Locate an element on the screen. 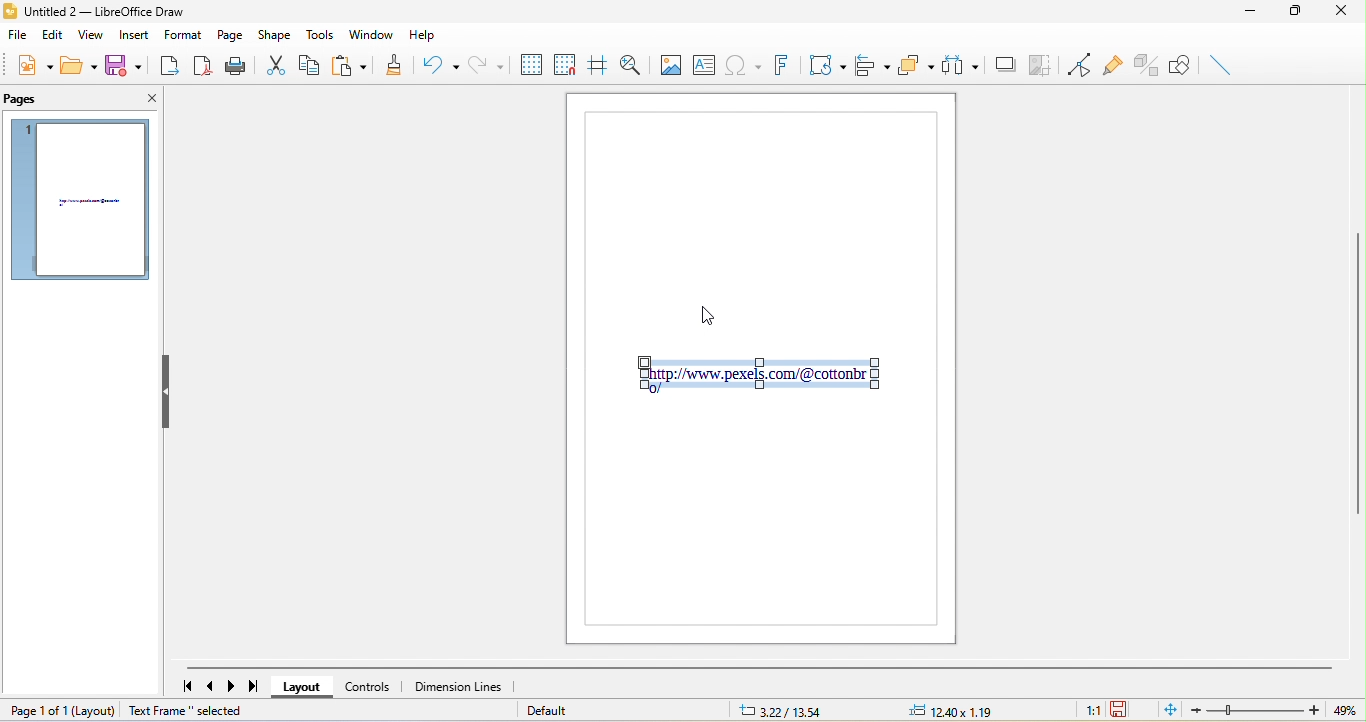 This screenshot has width=1366, height=722. hide is located at coordinates (167, 390).